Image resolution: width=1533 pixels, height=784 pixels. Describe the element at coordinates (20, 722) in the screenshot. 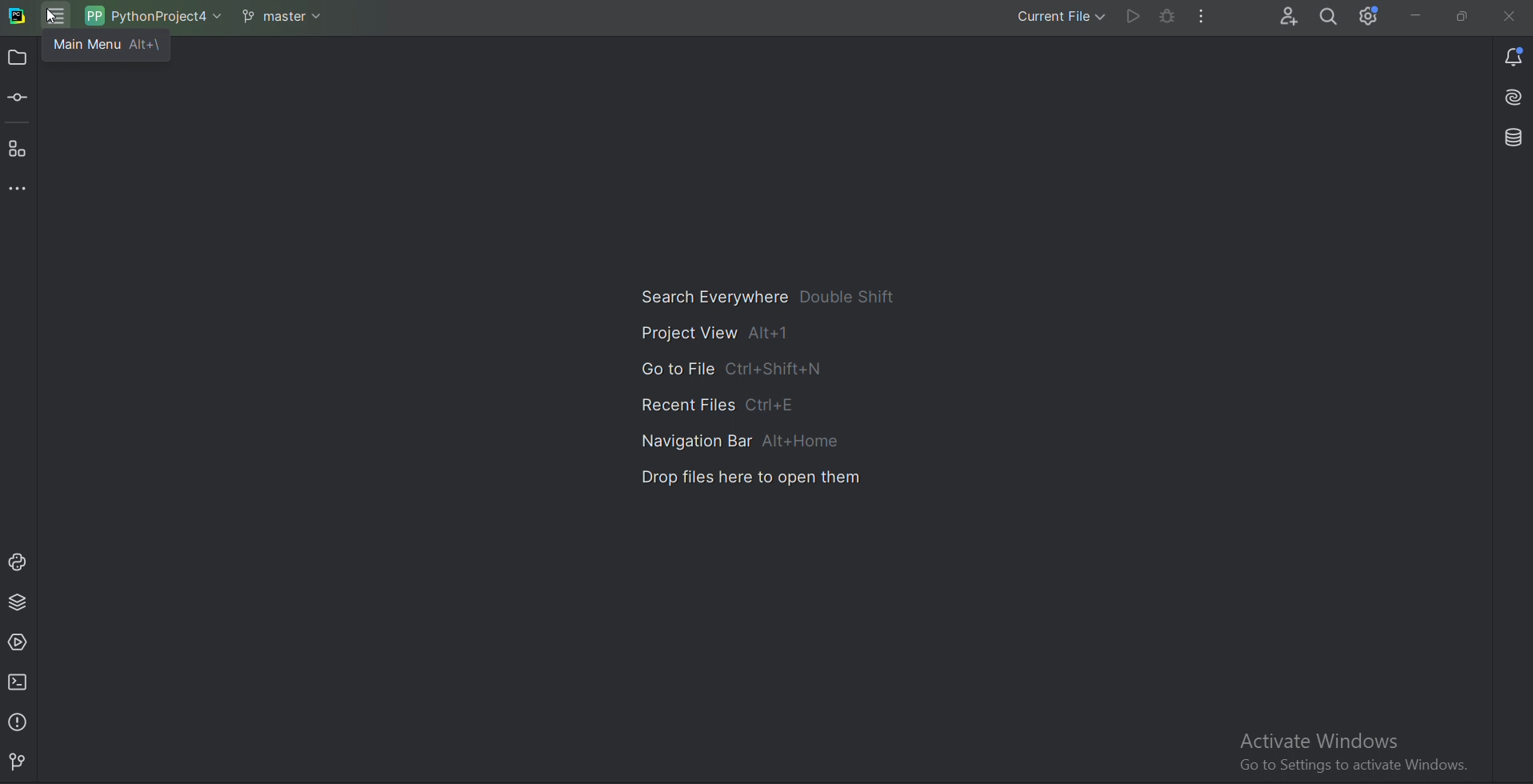

I see `Problems` at that location.